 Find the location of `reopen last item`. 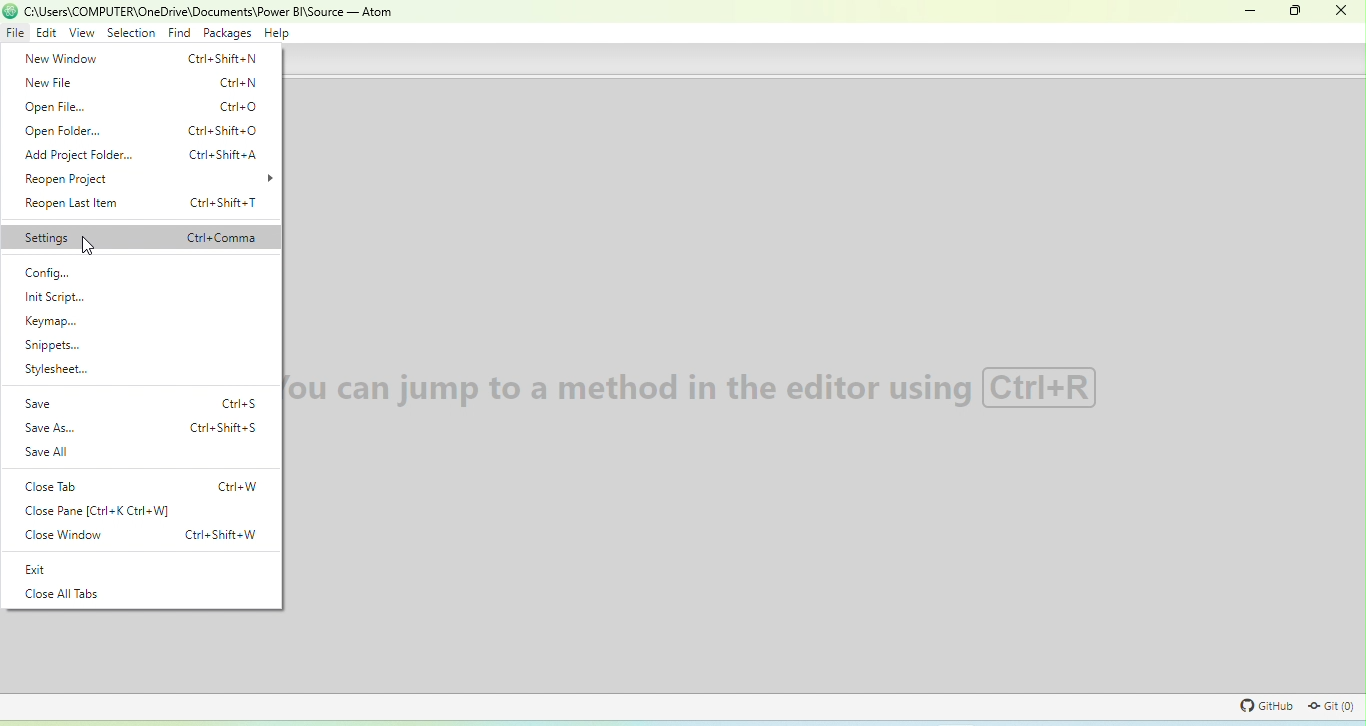

reopen last item is located at coordinates (141, 203).